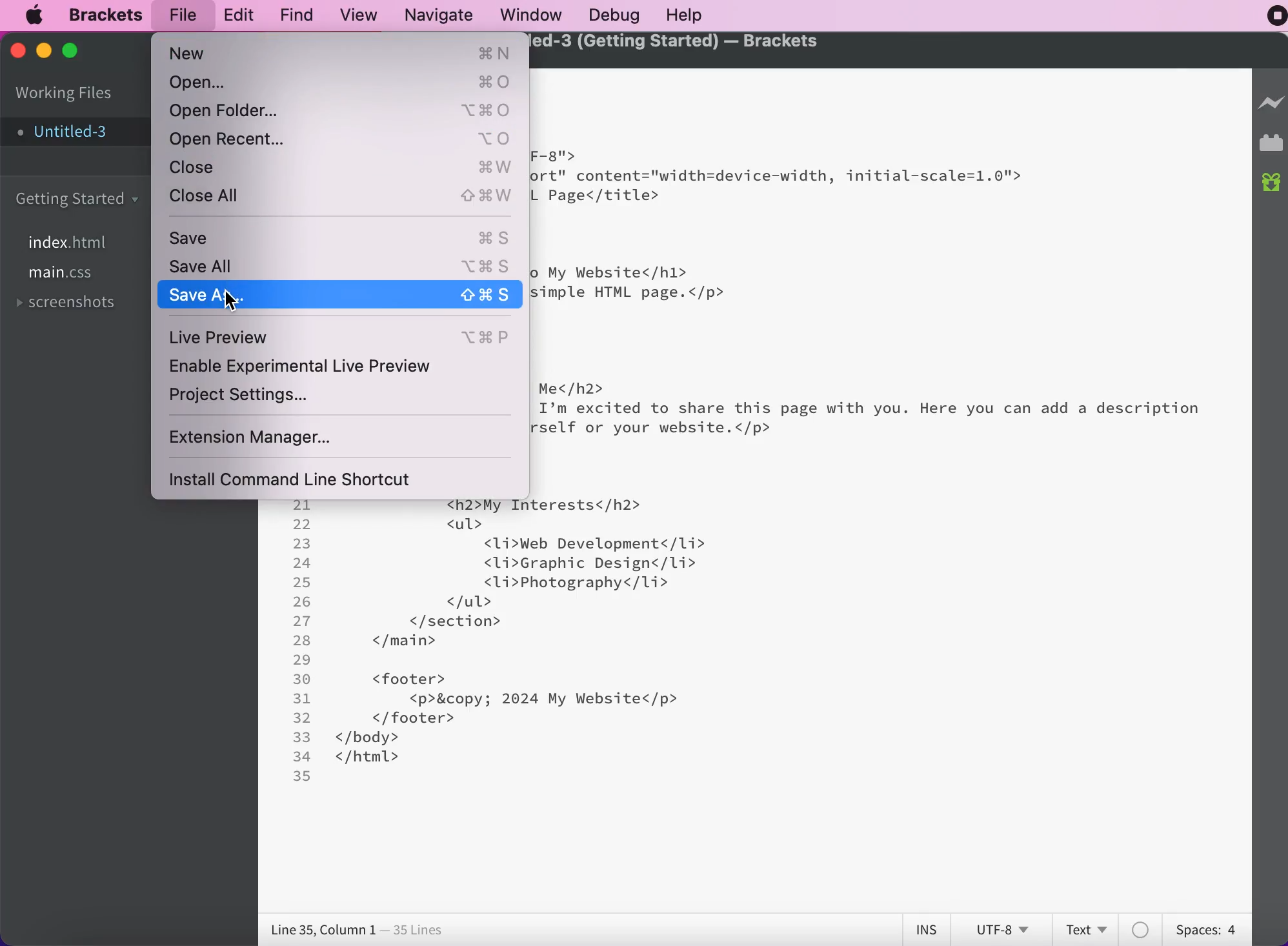 This screenshot has width=1288, height=946. I want to click on ins, so click(930, 929).